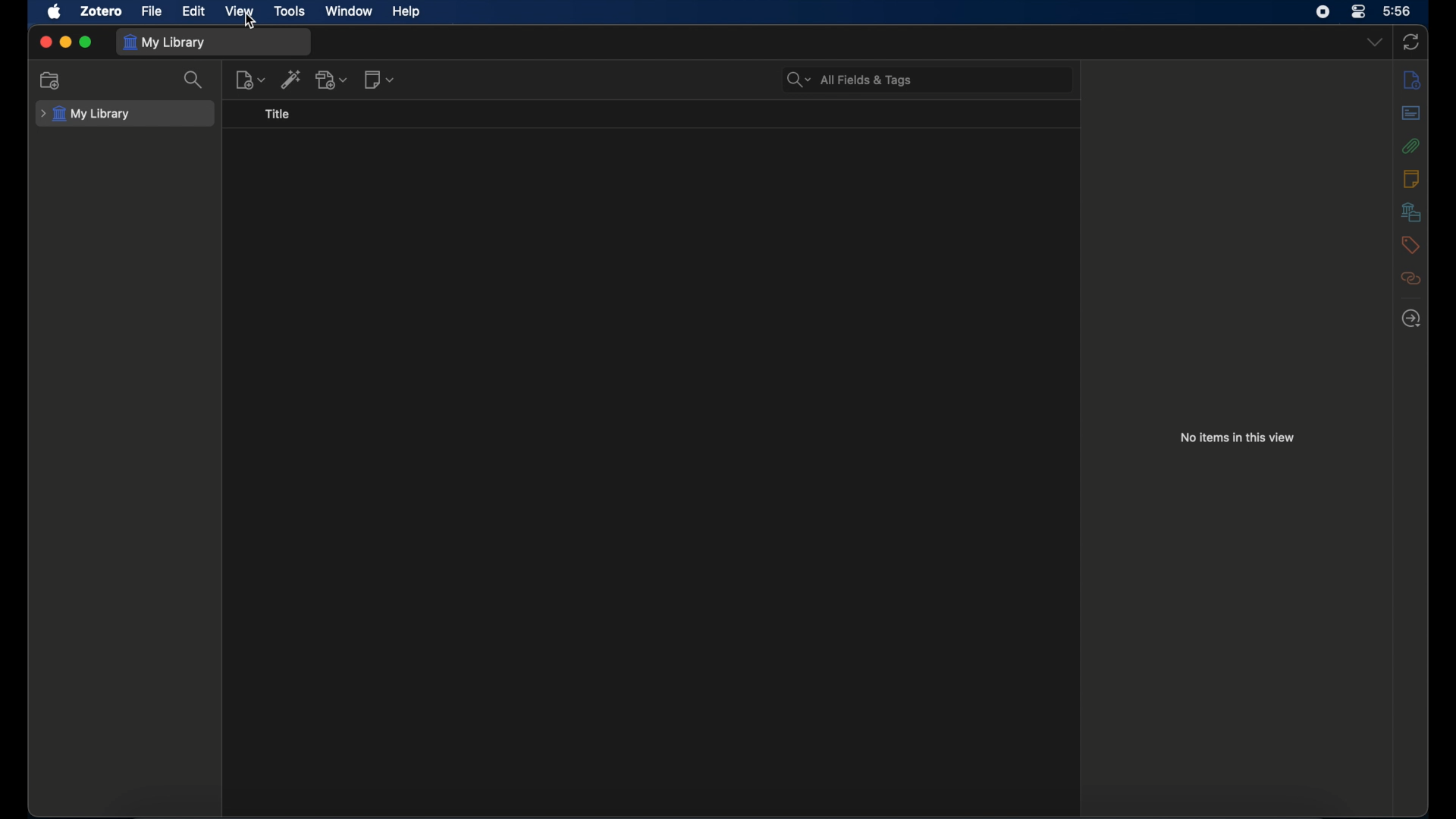 This screenshot has width=1456, height=819. I want to click on dropdown, so click(1375, 42).